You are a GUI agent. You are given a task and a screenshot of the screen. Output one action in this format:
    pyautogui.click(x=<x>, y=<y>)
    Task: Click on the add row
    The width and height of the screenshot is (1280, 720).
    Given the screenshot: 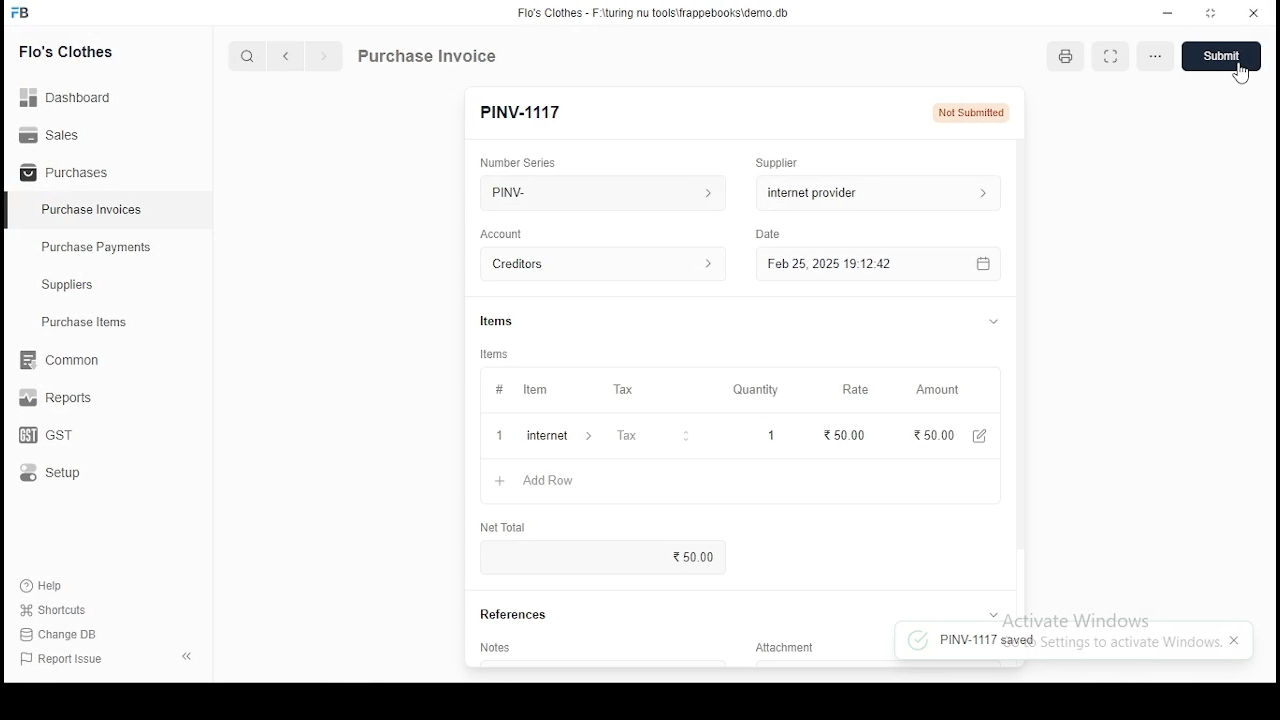 What is the action you would take?
    pyautogui.click(x=541, y=481)
    